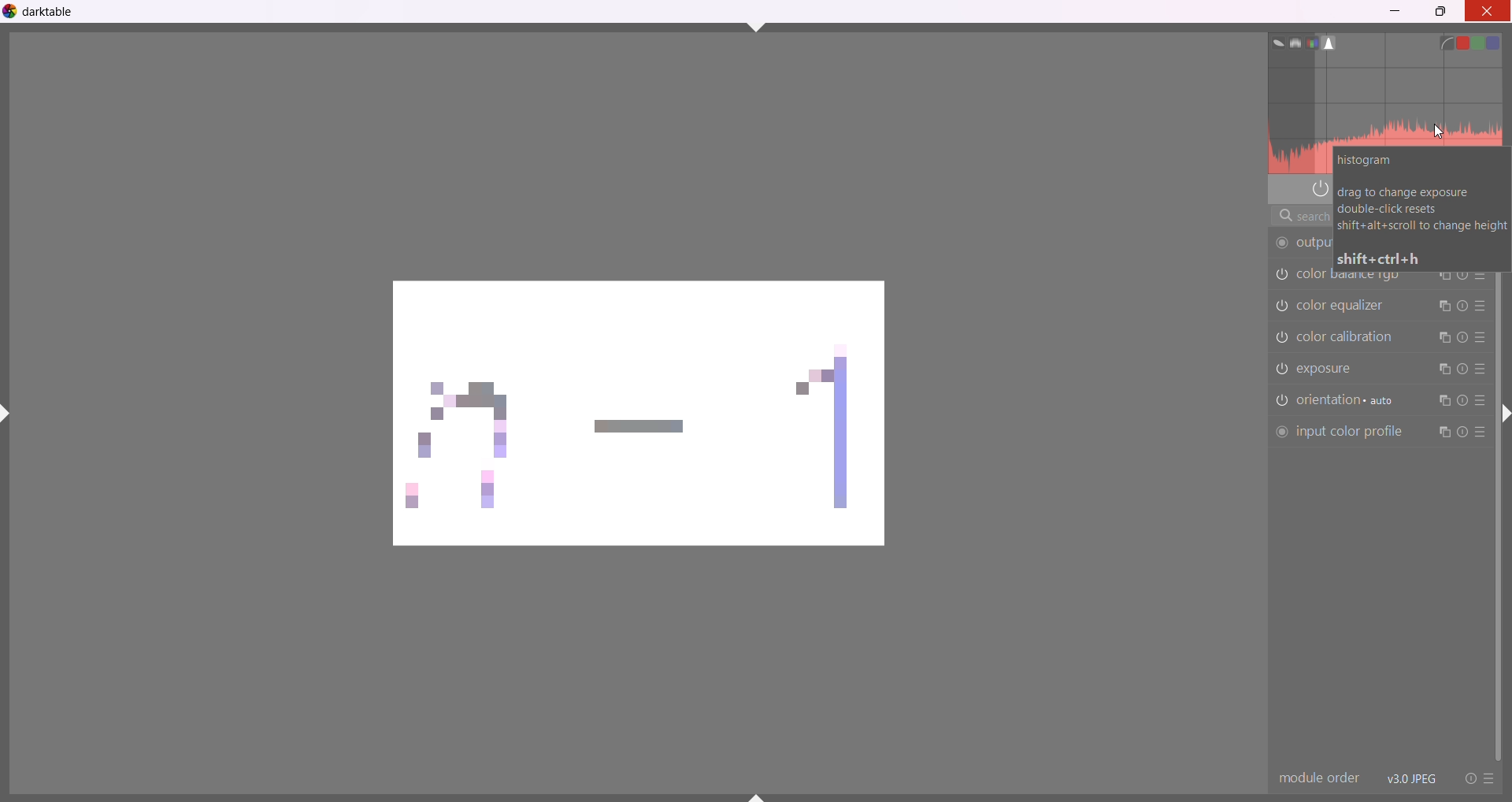 This screenshot has width=1512, height=802. I want to click on presets, so click(1480, 436).